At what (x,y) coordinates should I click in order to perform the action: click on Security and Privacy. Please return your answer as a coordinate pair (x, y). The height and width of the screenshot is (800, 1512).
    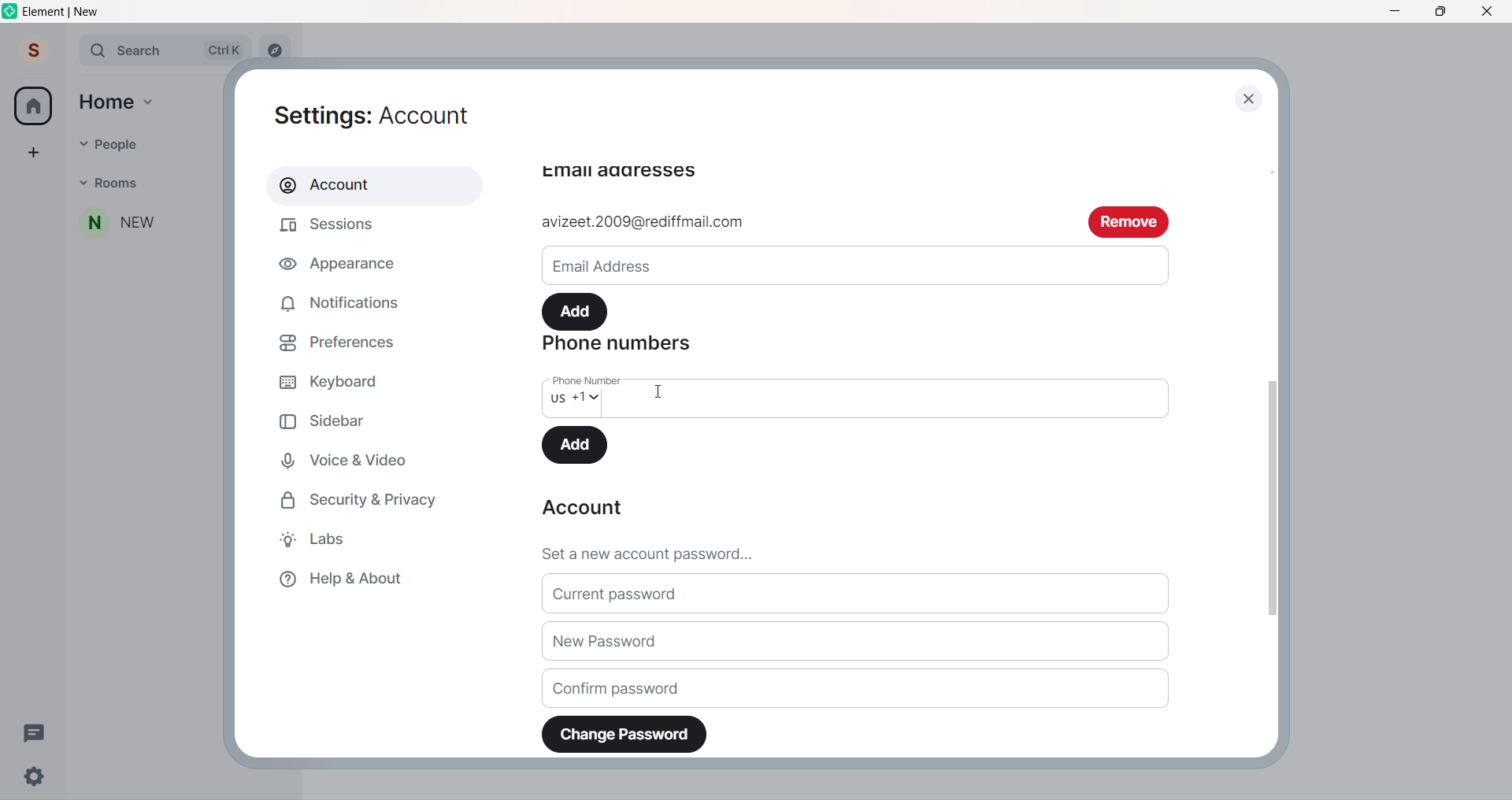
    Looking at the image, I should click on (369, 498).